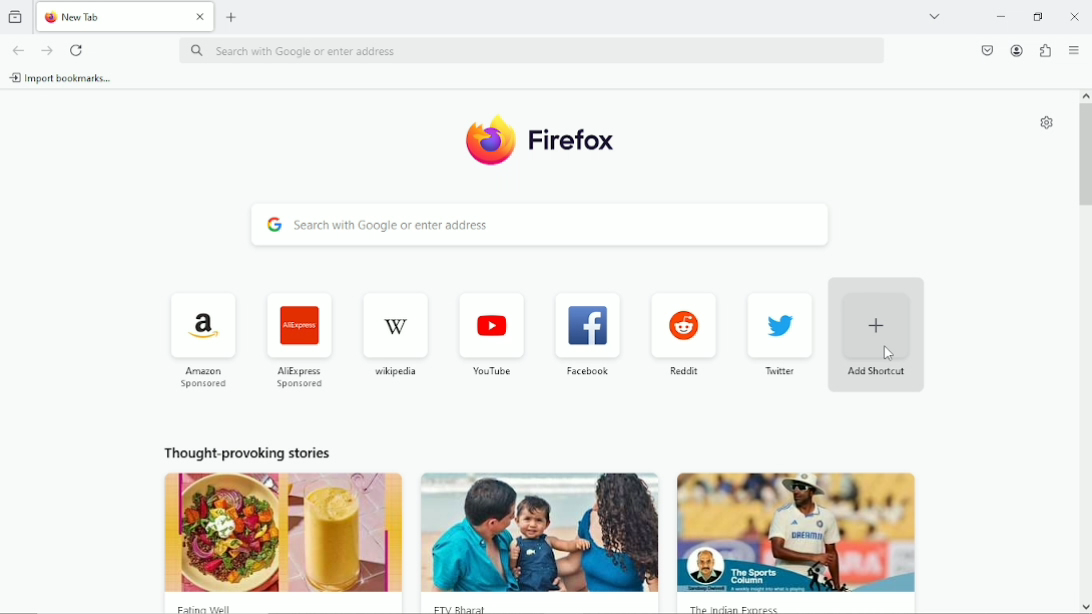 Image resolution: width=1092 pixels, height=614 pixels. I want to click on go forward, so click(48, 51).